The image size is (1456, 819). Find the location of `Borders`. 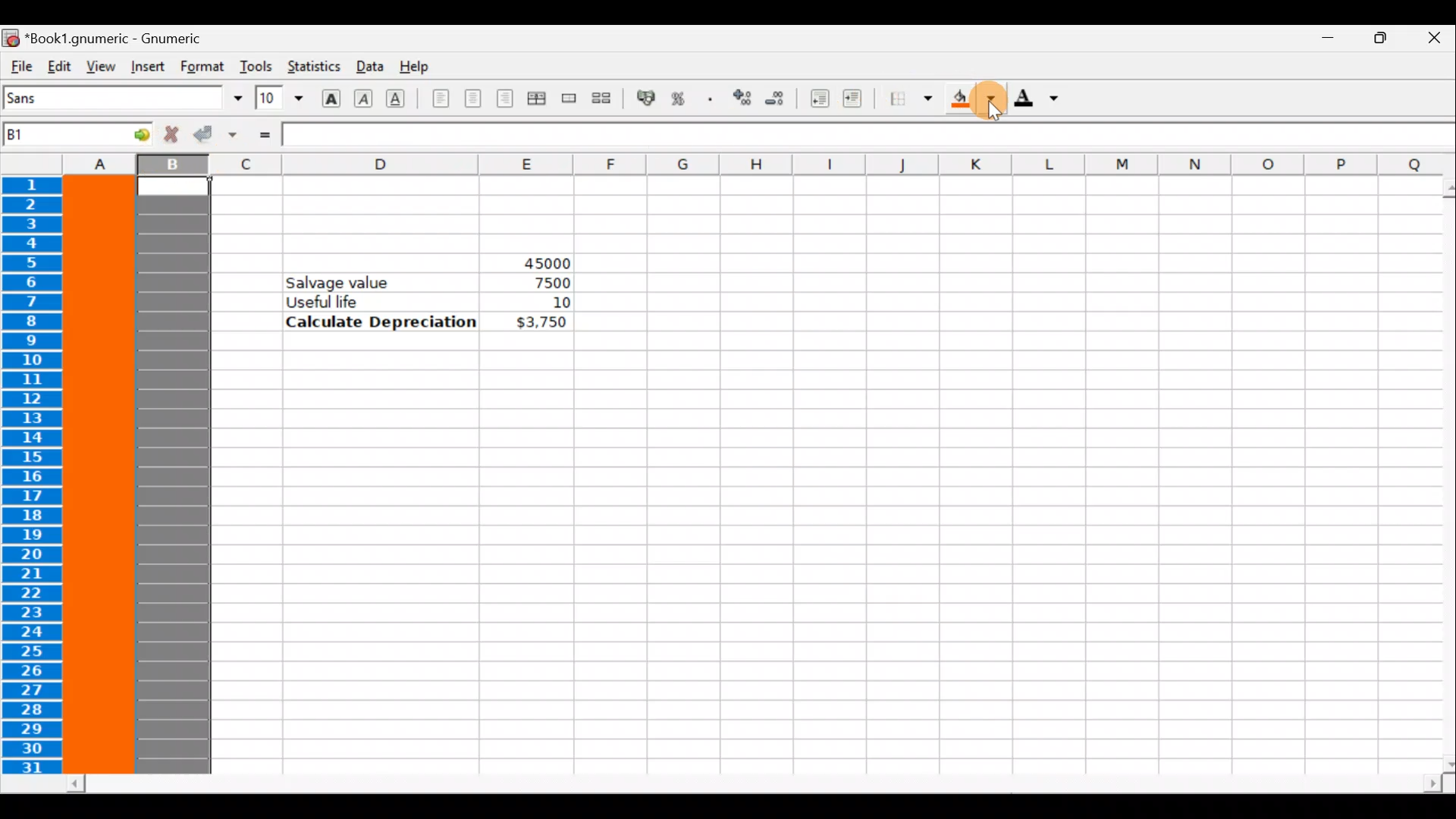

Borders is located at coordinates (911, 99).